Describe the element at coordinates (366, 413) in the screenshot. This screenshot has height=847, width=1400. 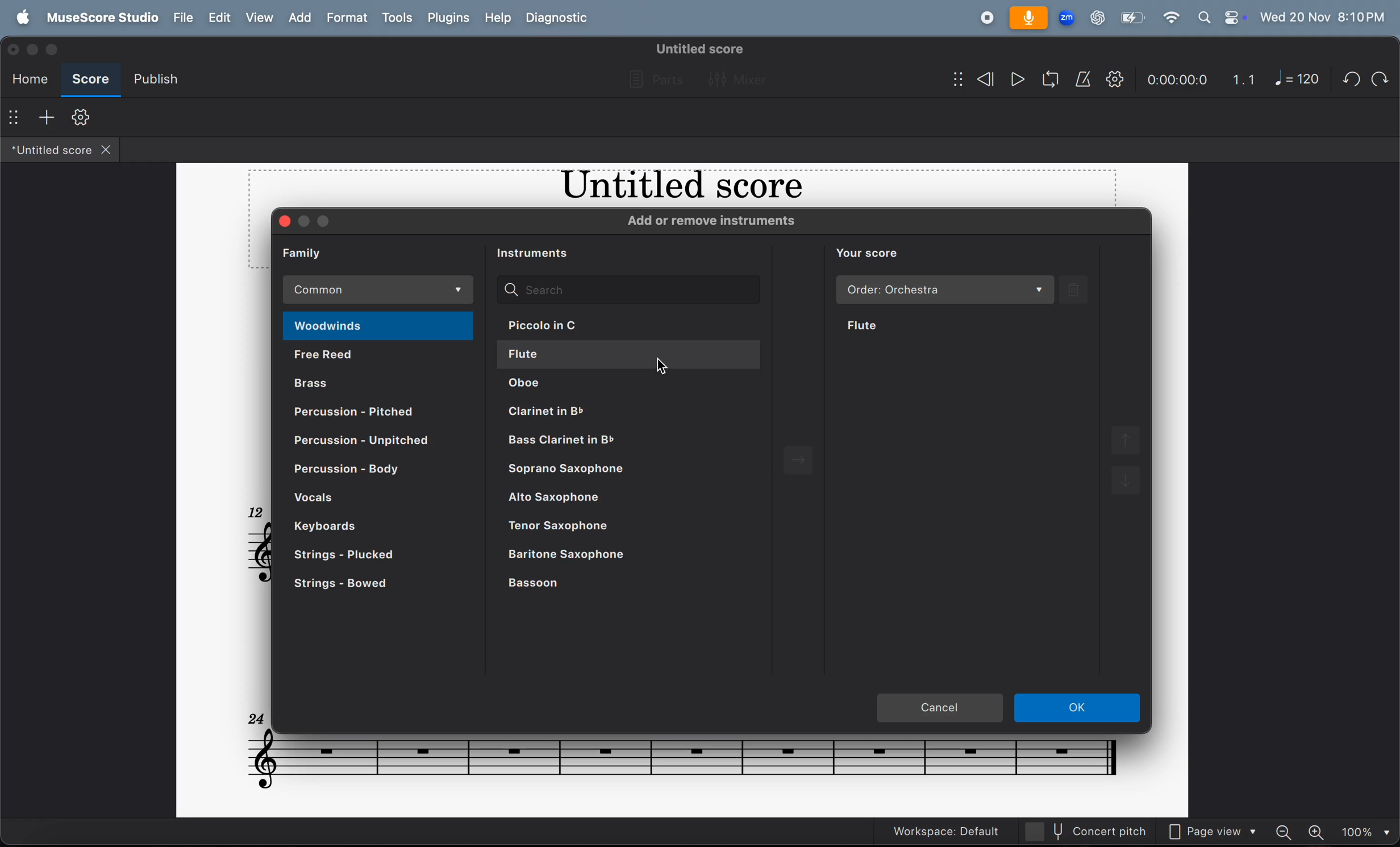
I see `percusion pitched` at that location.